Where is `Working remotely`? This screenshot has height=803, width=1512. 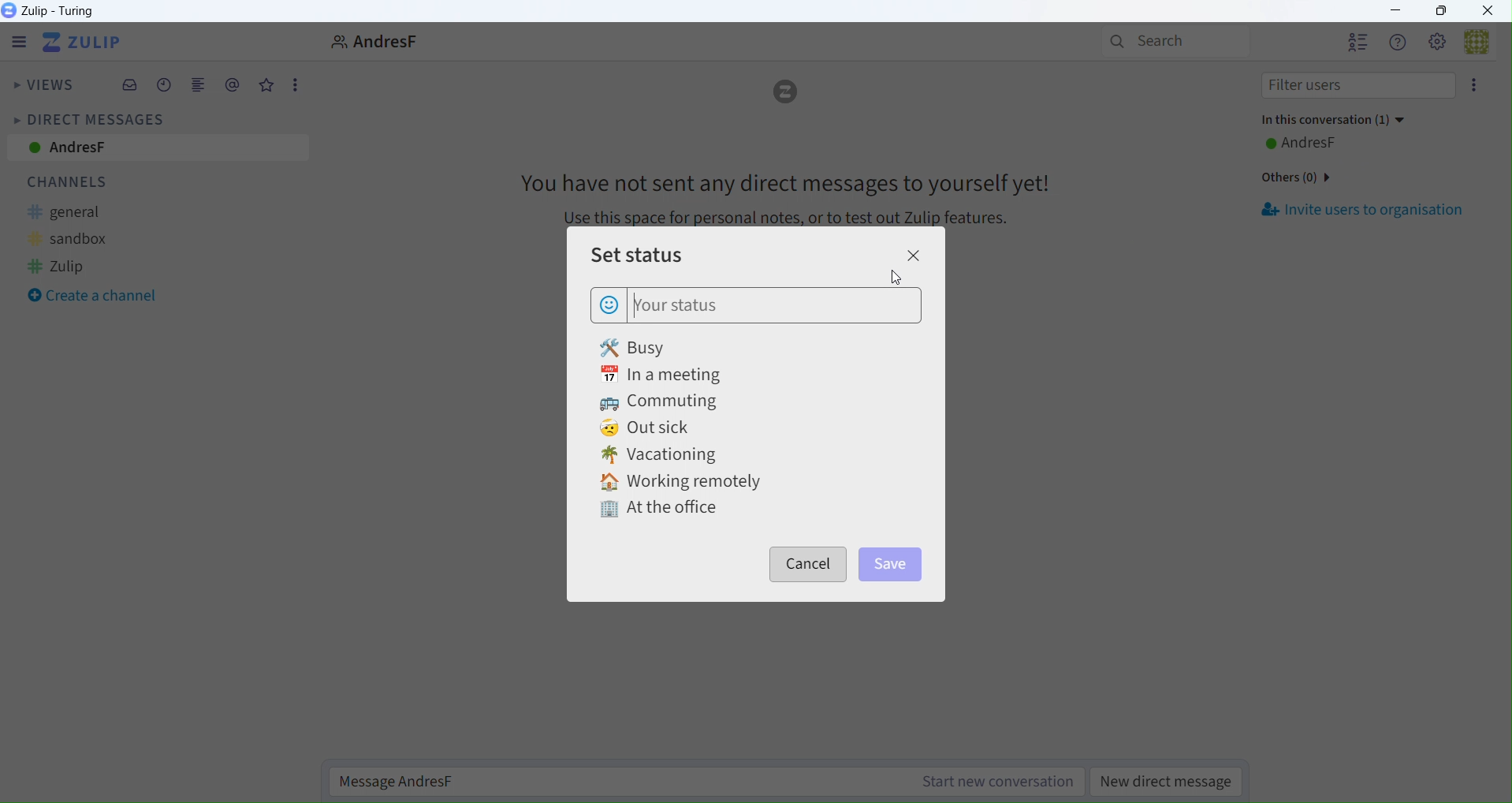
Working remotely is located at coordinates (688, 480).